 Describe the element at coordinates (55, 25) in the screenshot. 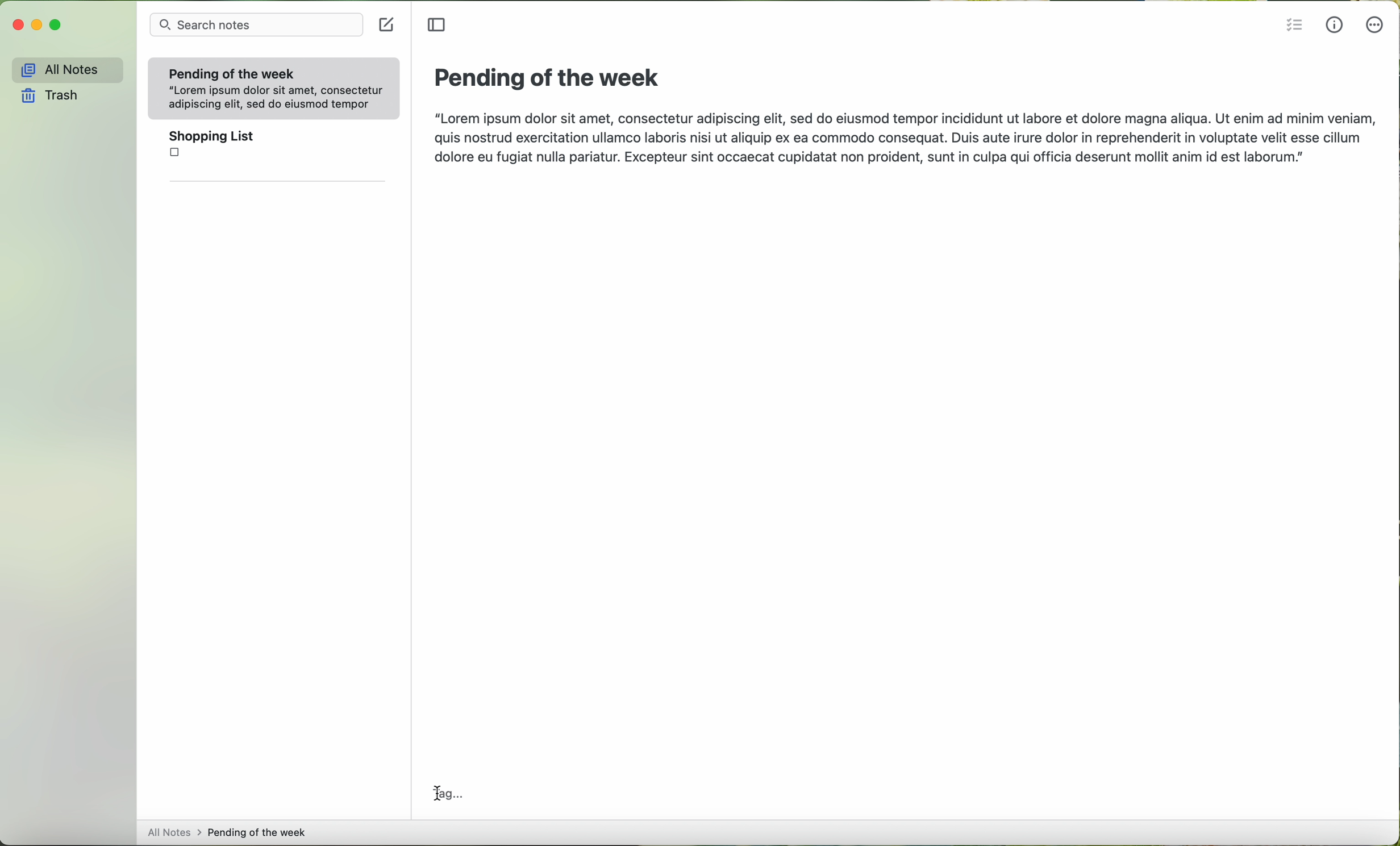

I see `maximize program` at that location.